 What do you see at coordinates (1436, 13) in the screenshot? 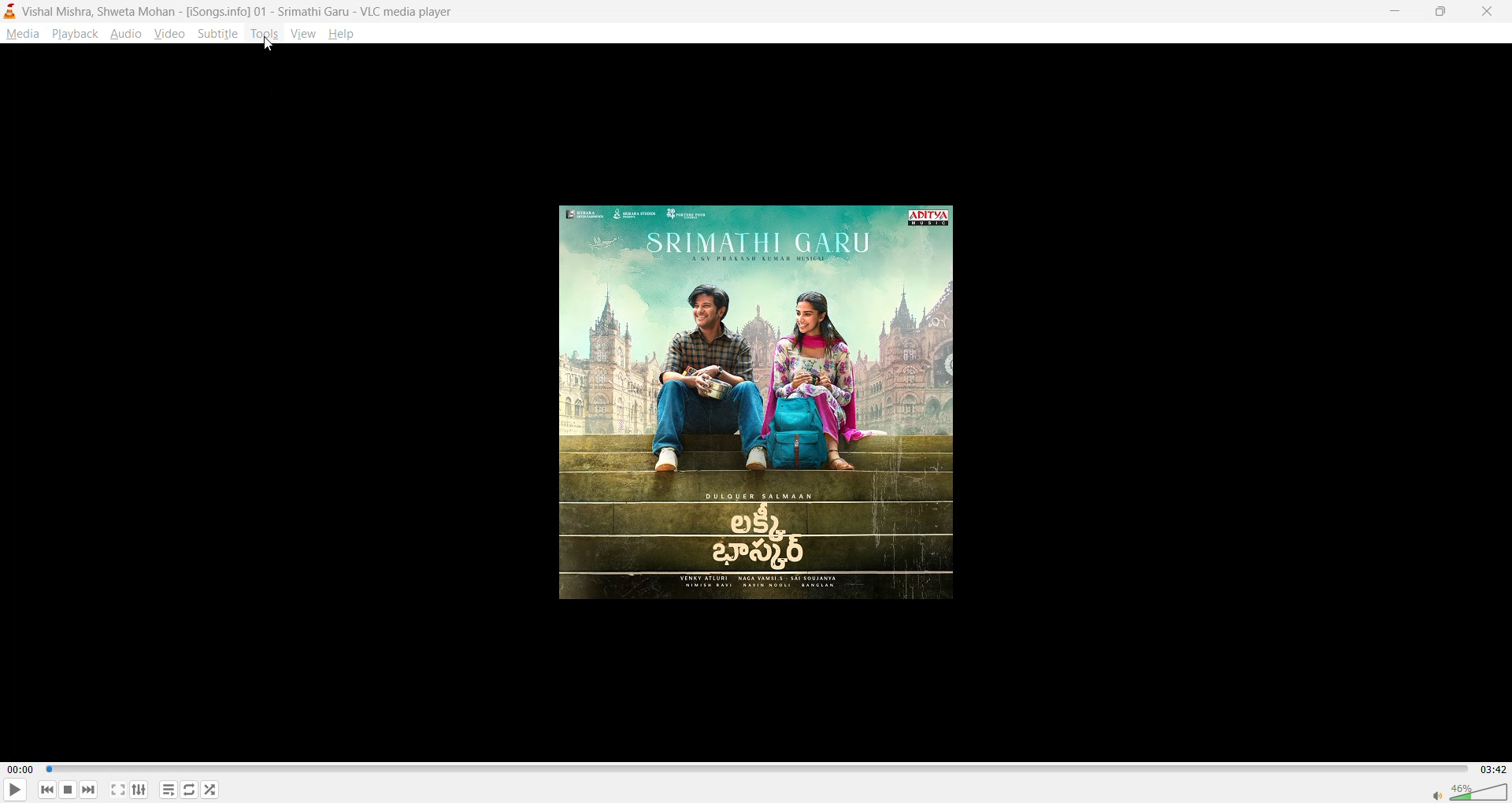
I see `maximize` at bounding box center [1436, 13].